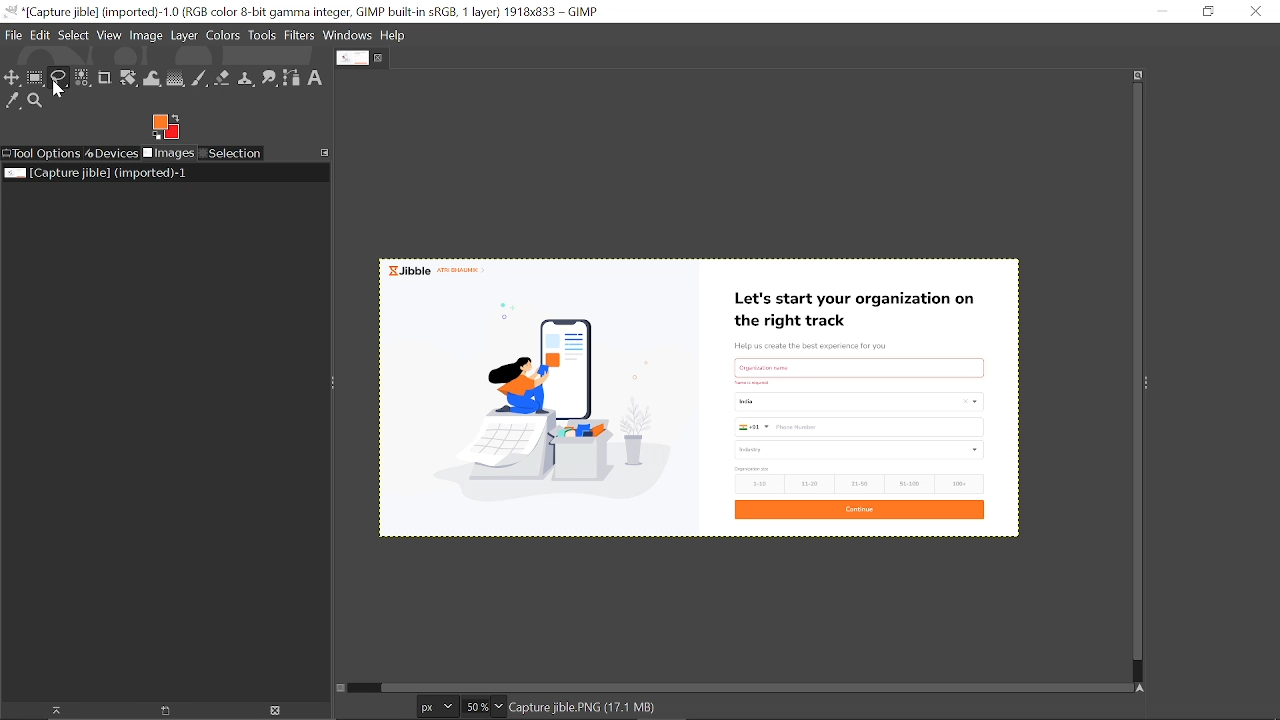  Describe the element at coordinates (170, 154) in the screenshot. I see `Images` at that location.